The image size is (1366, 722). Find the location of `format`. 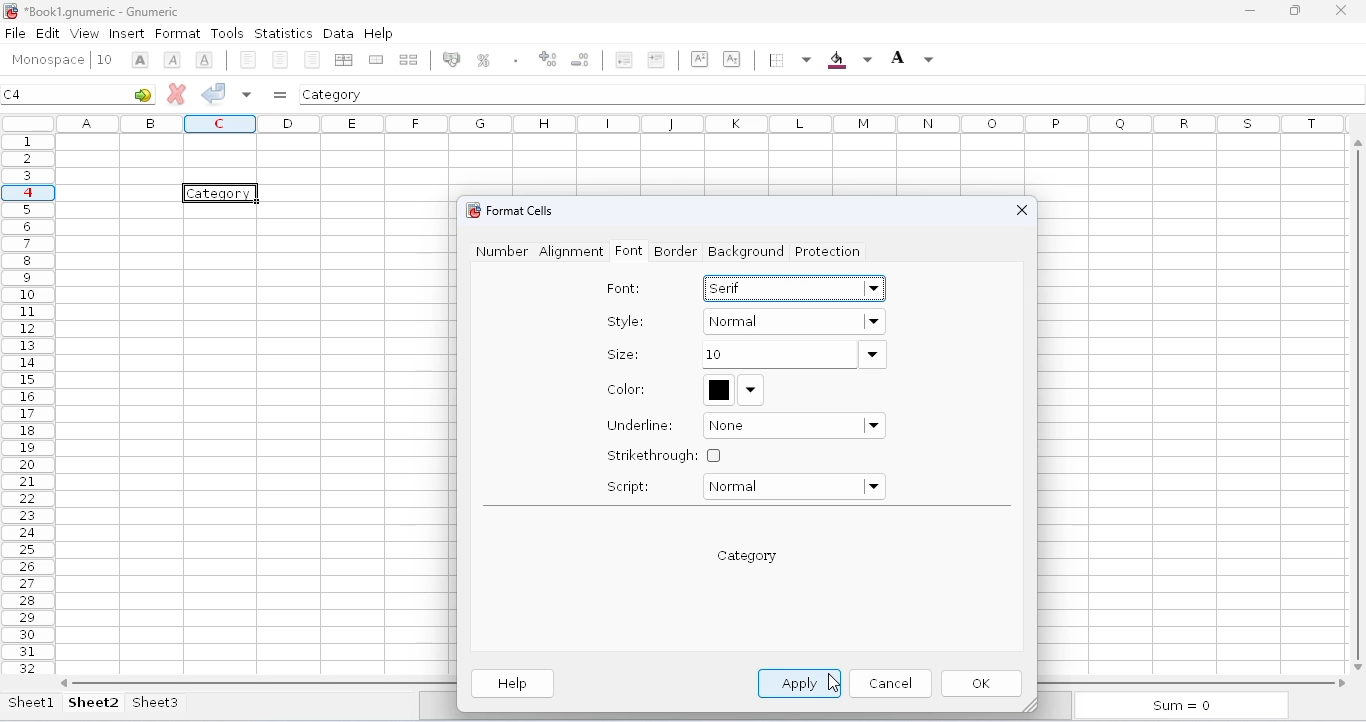

format is located at coordinates (178, 34).